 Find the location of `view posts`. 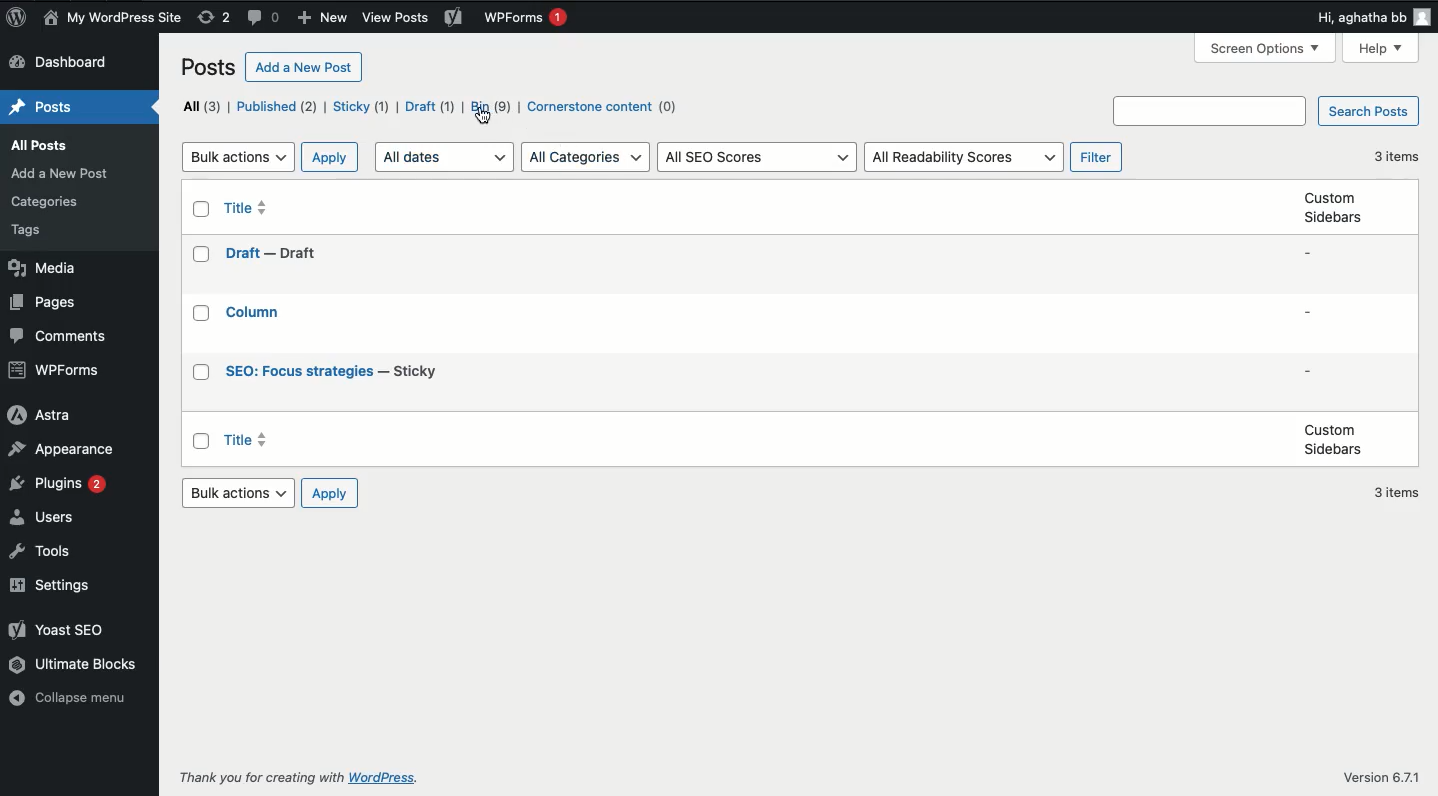

view posts is located at coordinates (412, 17).